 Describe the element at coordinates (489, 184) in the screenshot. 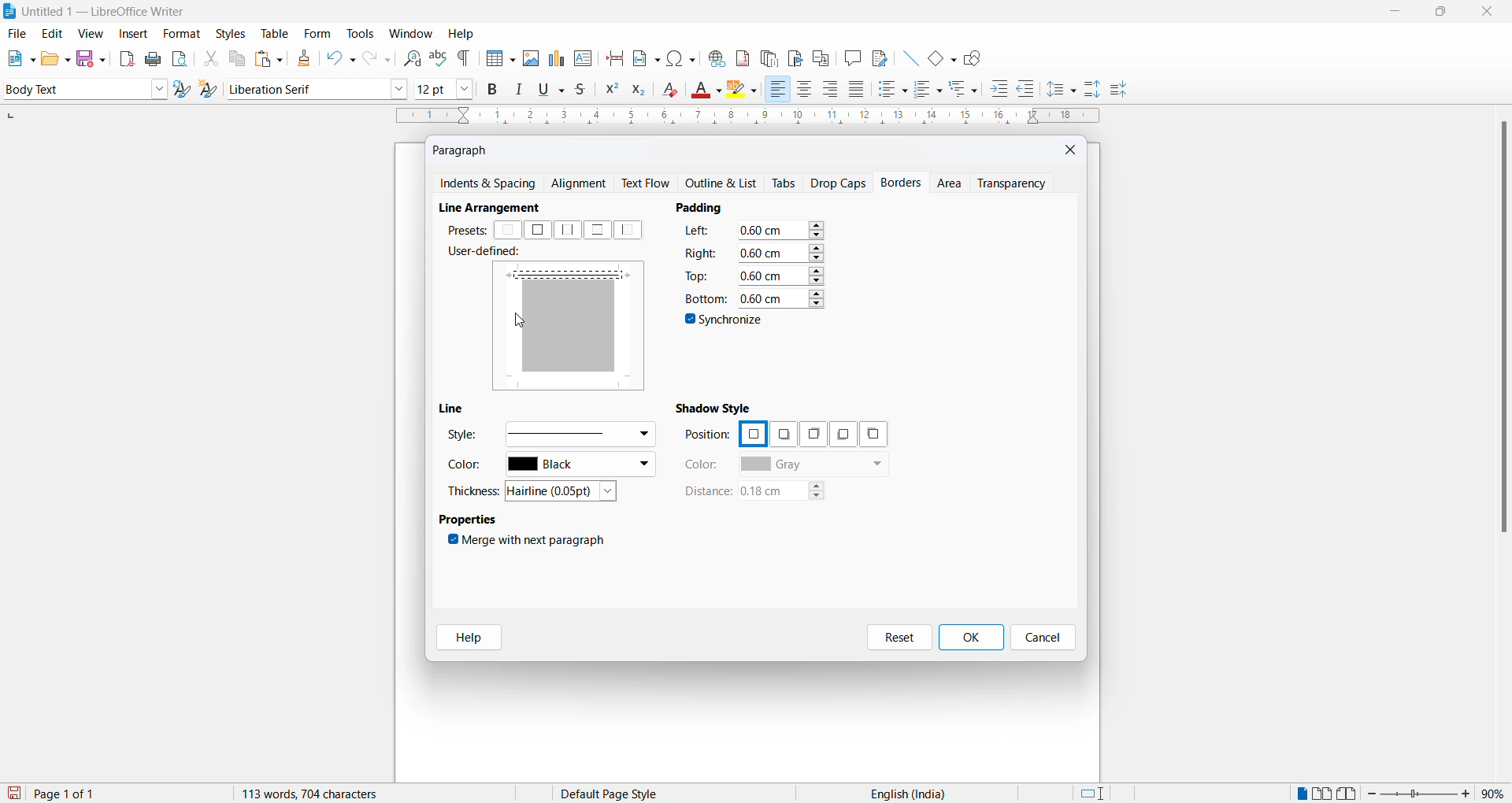

I see `indent and spacing` at that location.